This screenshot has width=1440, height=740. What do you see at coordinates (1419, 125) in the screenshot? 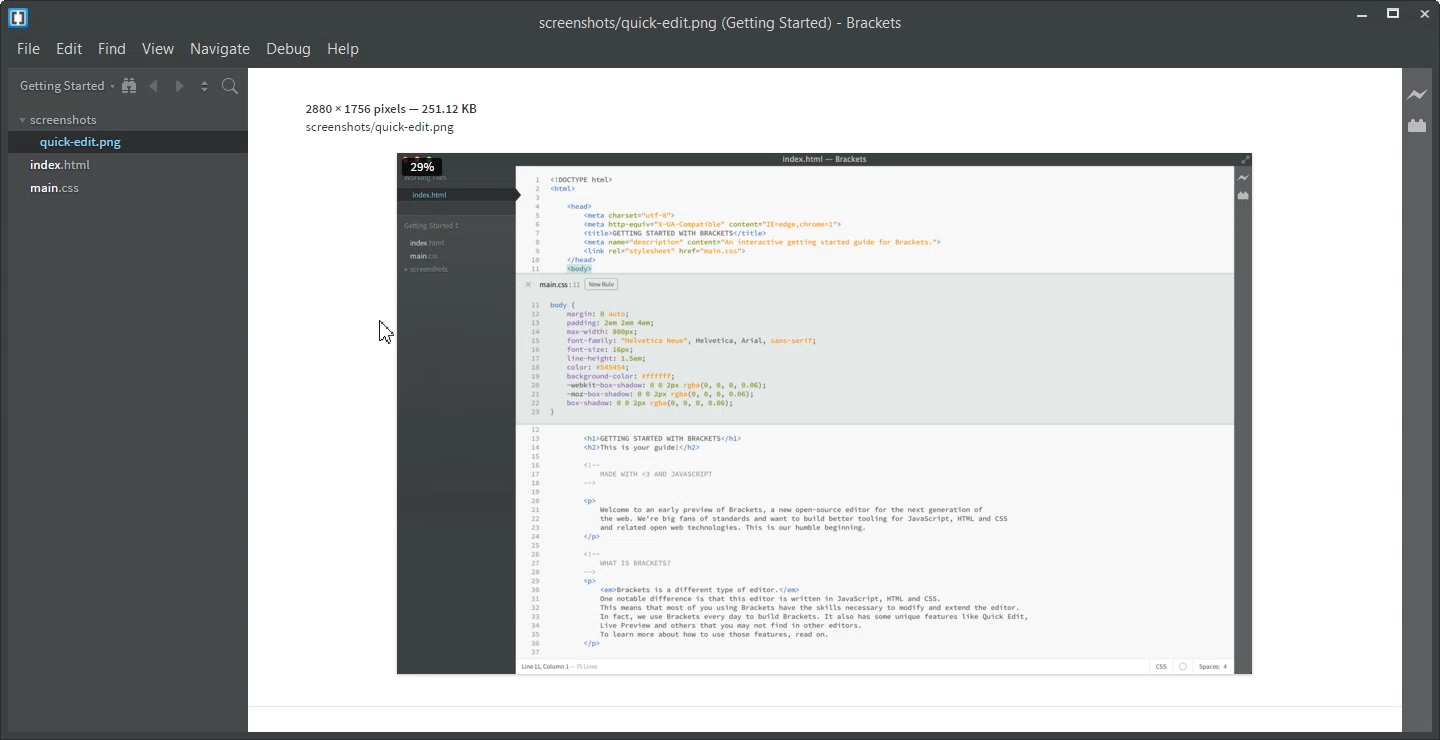
I see `Extension Manager` at bounding box center [1419, 125].